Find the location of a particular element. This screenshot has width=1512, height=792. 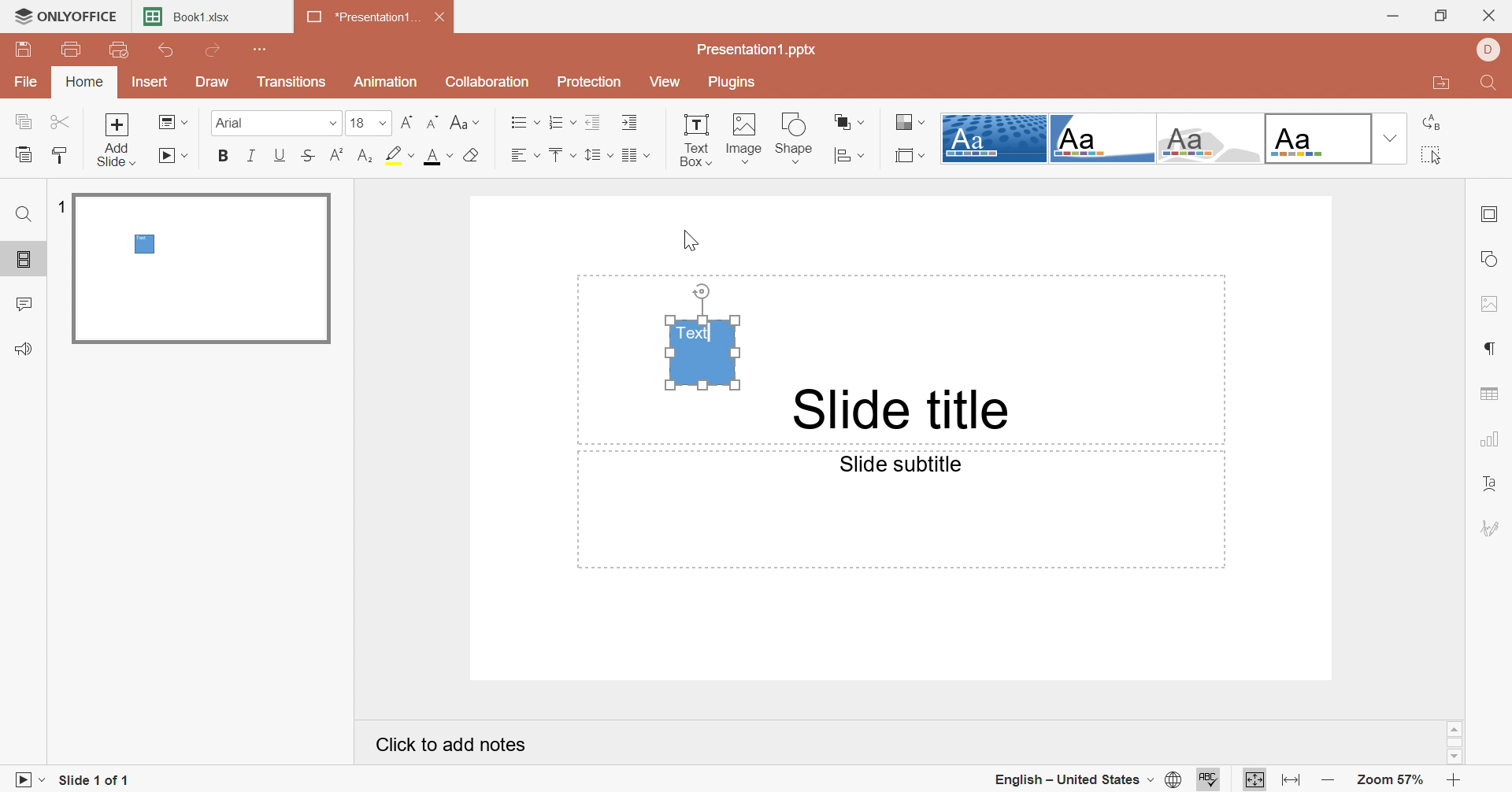

Find is located at coordinates (1487, 86).